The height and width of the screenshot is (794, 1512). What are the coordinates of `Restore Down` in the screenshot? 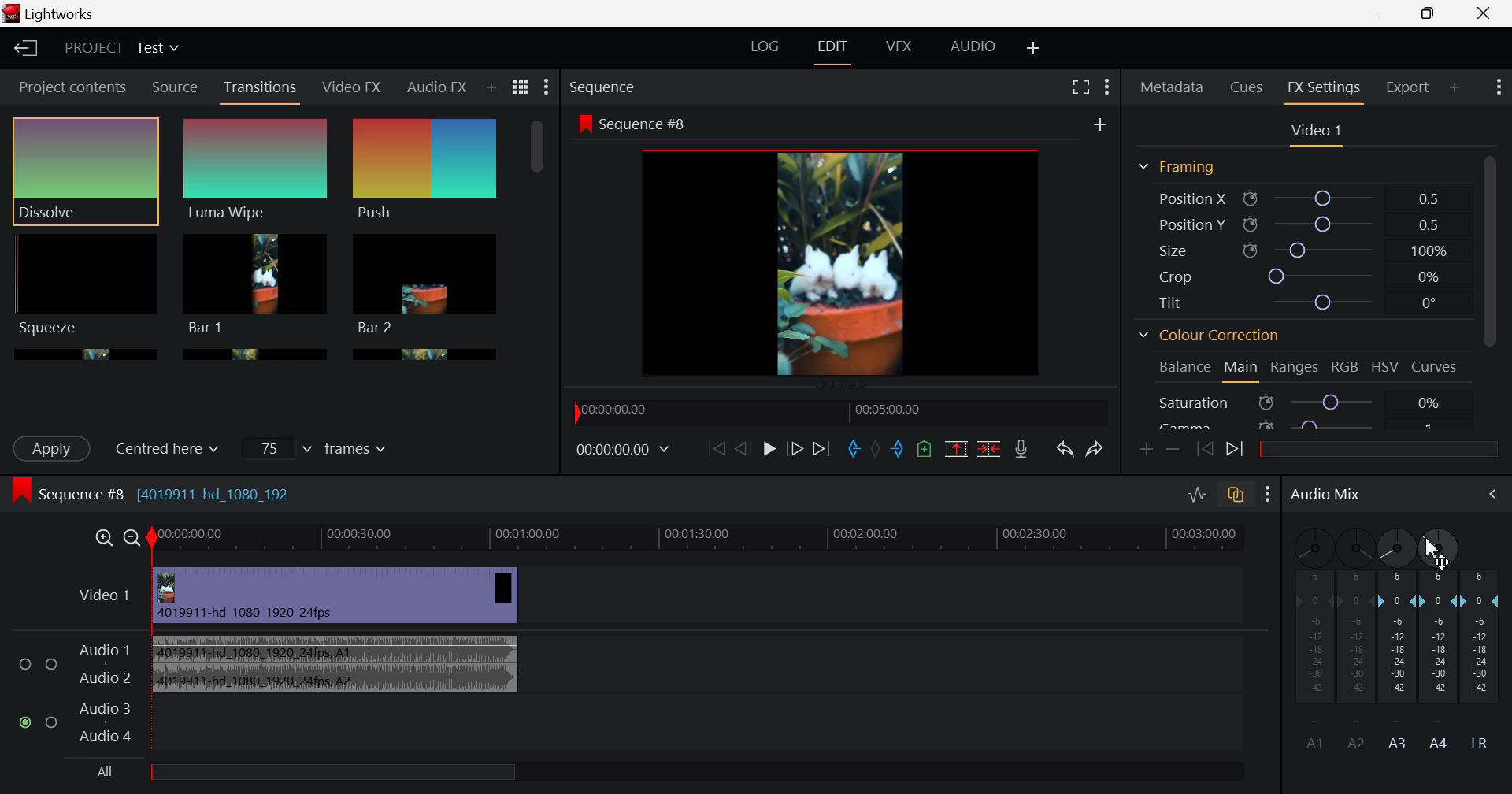 It's located at (1374, 14).